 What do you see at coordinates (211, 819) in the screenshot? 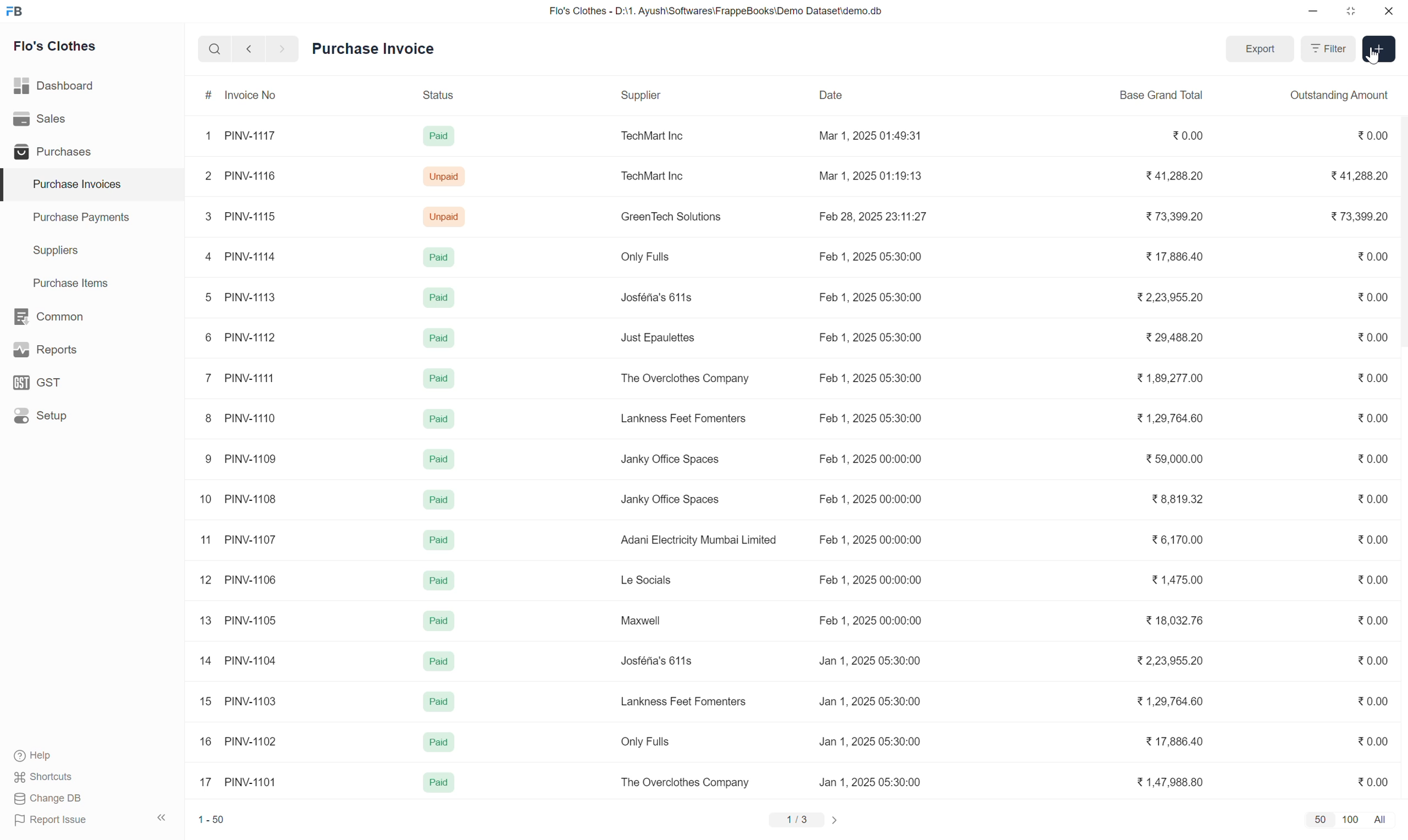
I see `1-50` at bounding box center [211, 819].